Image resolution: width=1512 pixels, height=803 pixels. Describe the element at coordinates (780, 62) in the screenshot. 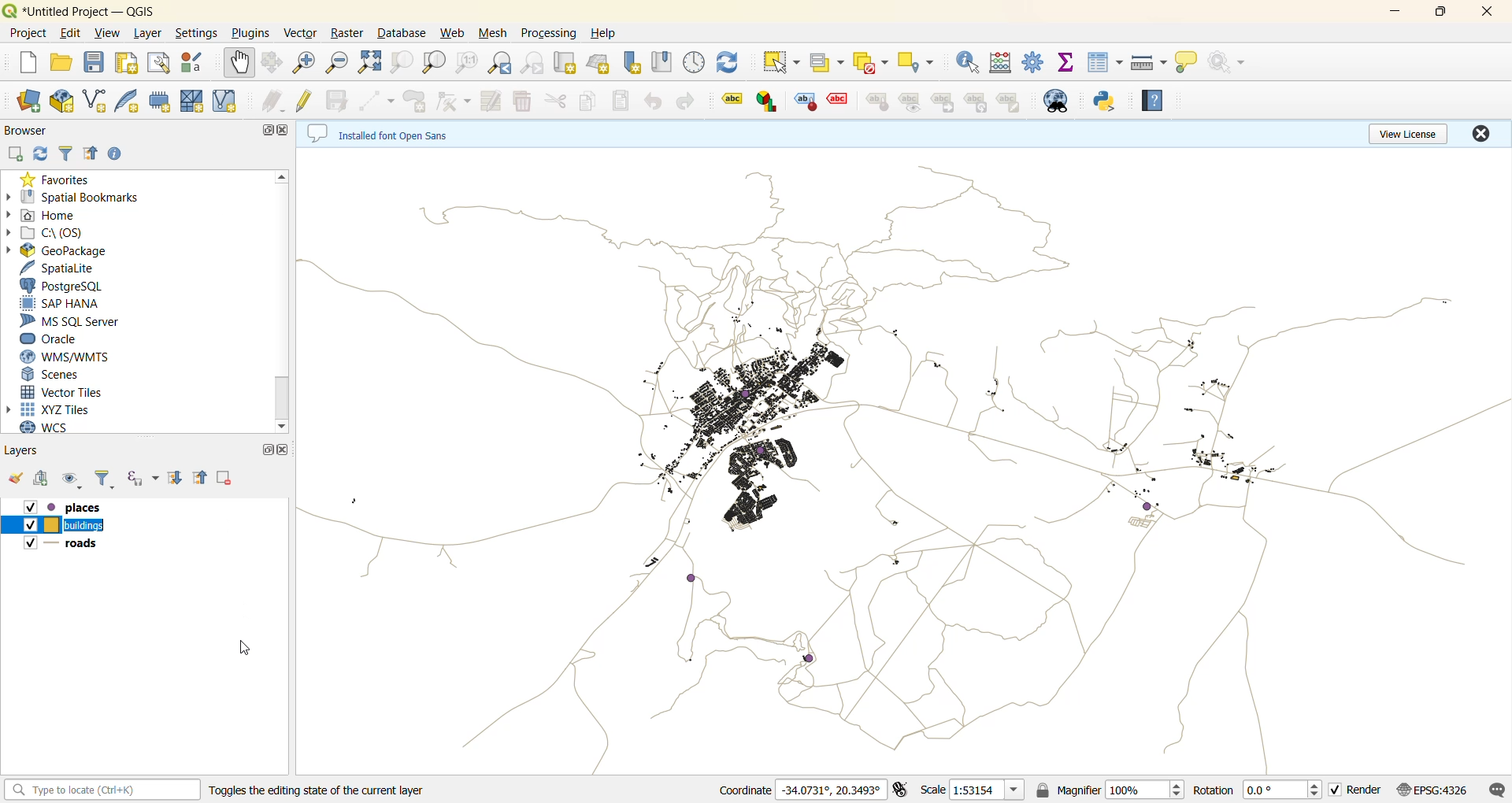

I see `select` at that location.